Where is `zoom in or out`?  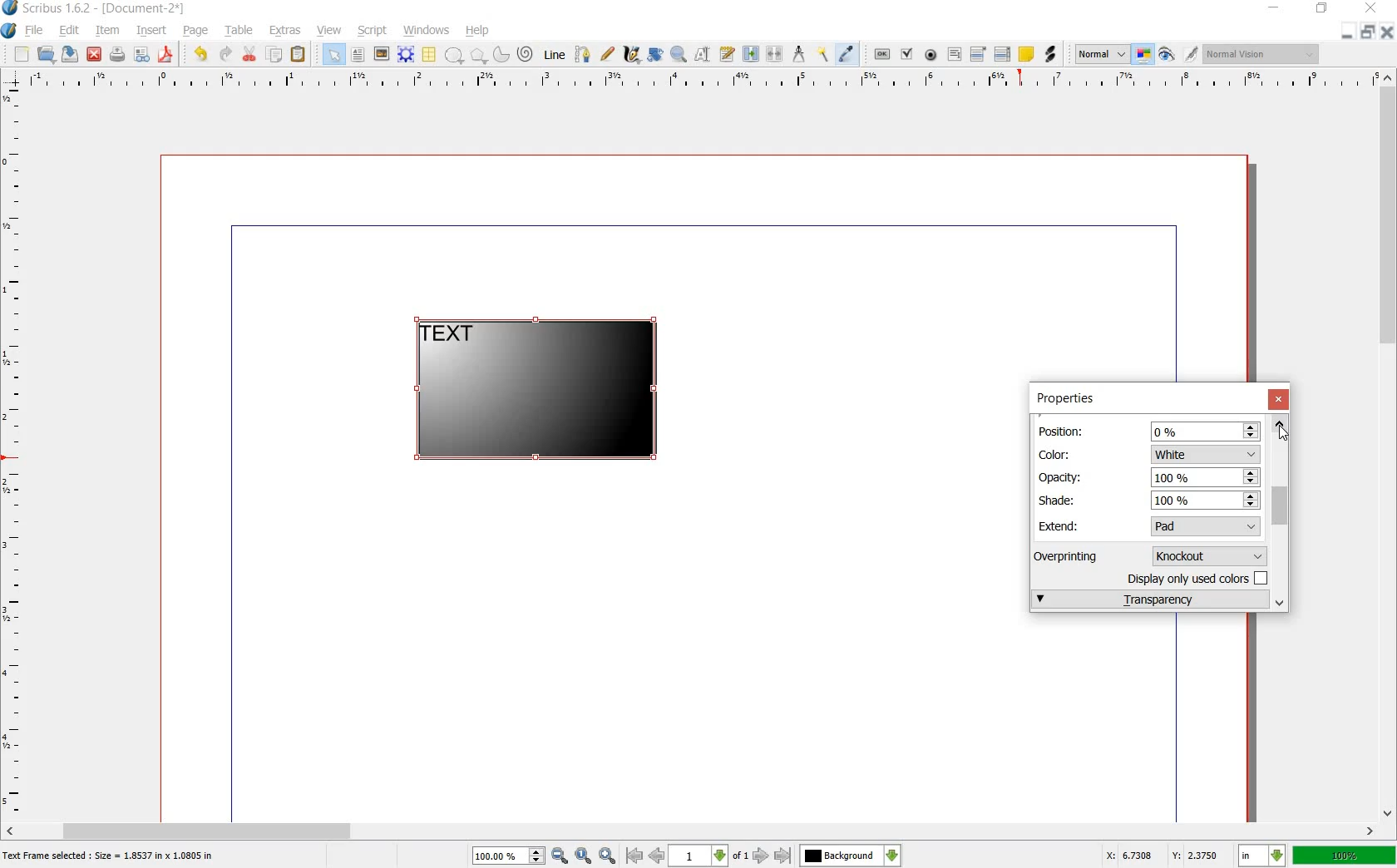
zoom in or out is located at coordinates (678, 56).